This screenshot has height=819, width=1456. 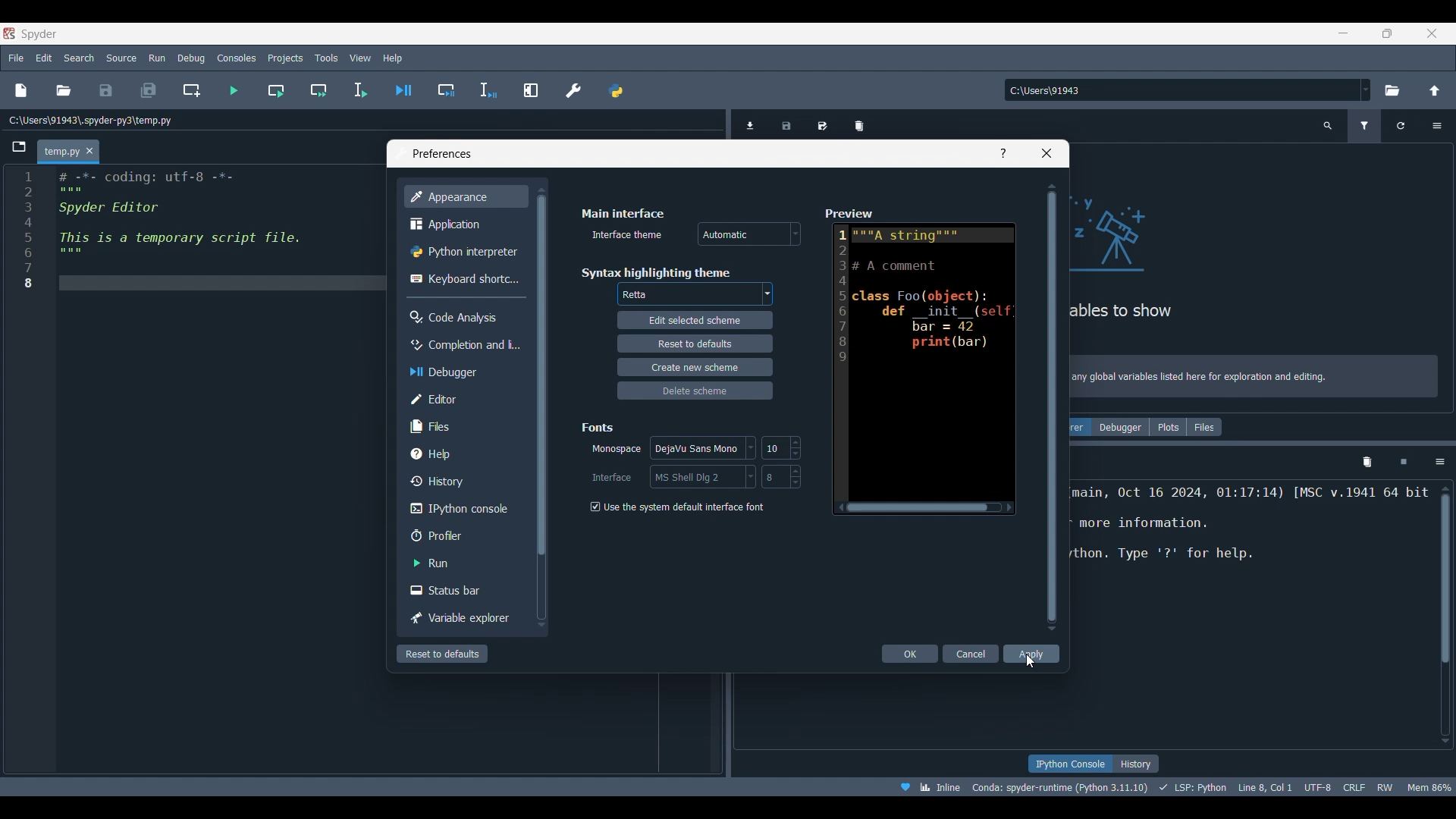 I want to click on Reset to defaults, so click(x=442, y=654).